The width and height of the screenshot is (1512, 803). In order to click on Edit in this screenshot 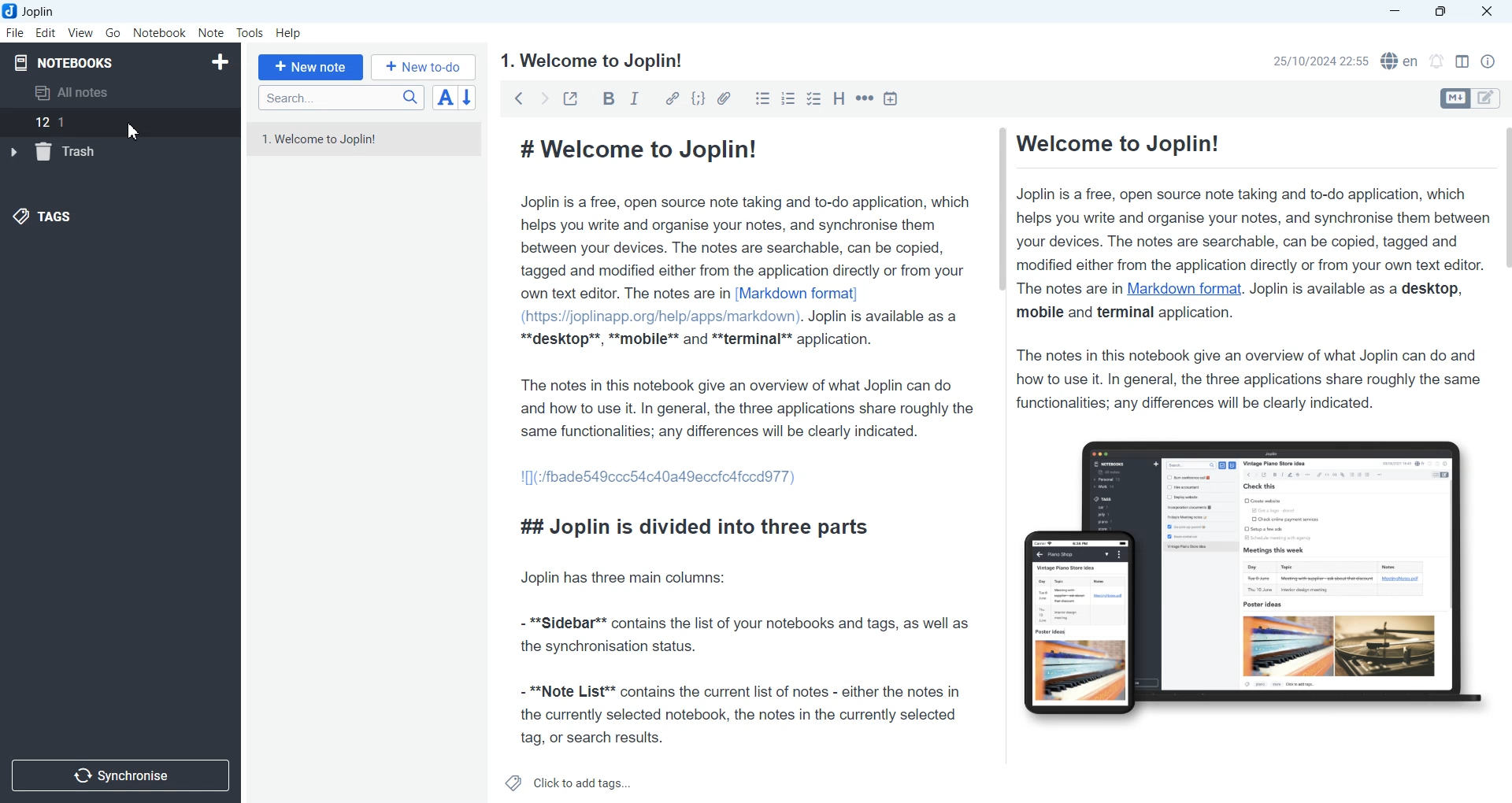, I will do `click(46, 32)`.